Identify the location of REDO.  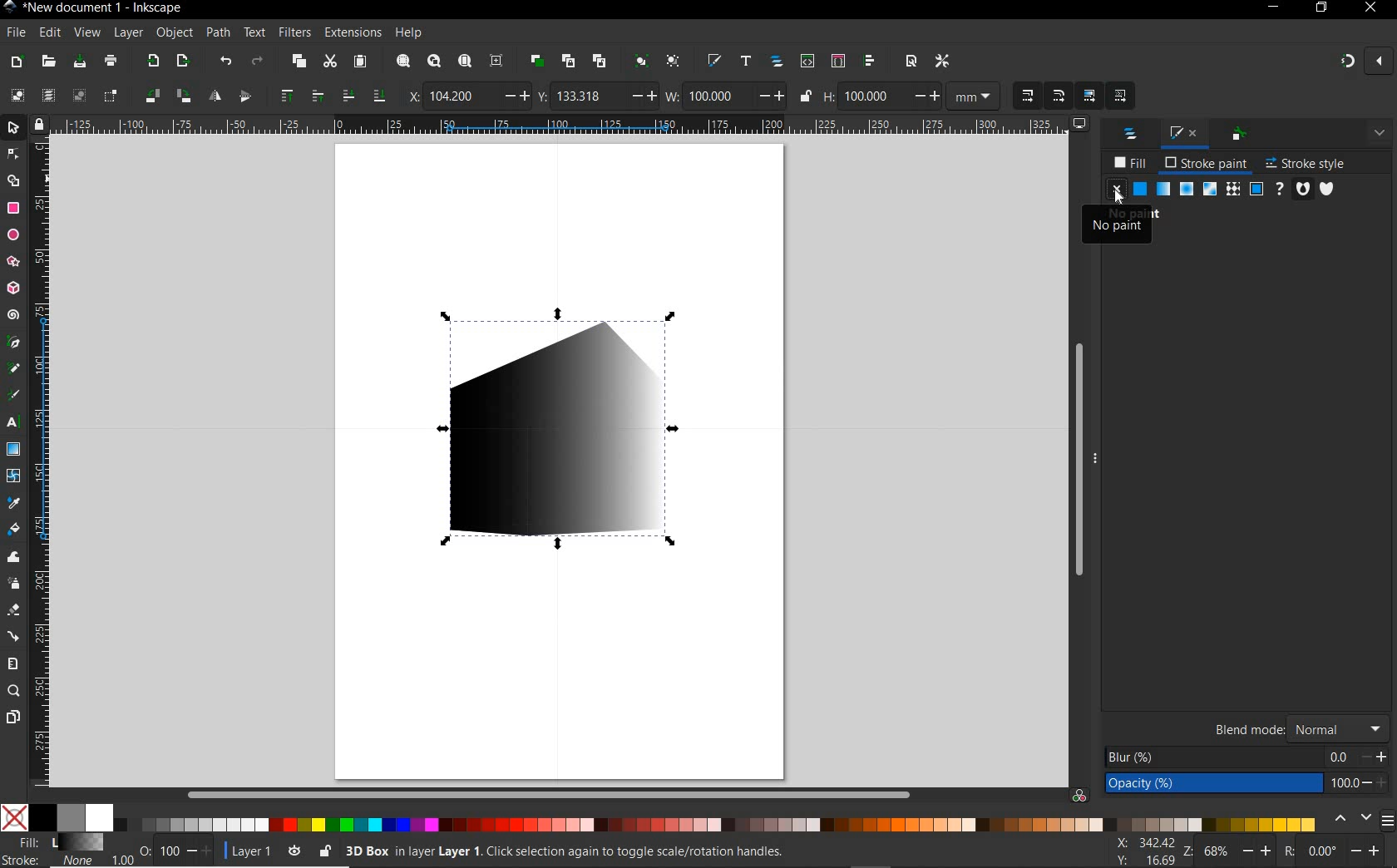
(262, 60).